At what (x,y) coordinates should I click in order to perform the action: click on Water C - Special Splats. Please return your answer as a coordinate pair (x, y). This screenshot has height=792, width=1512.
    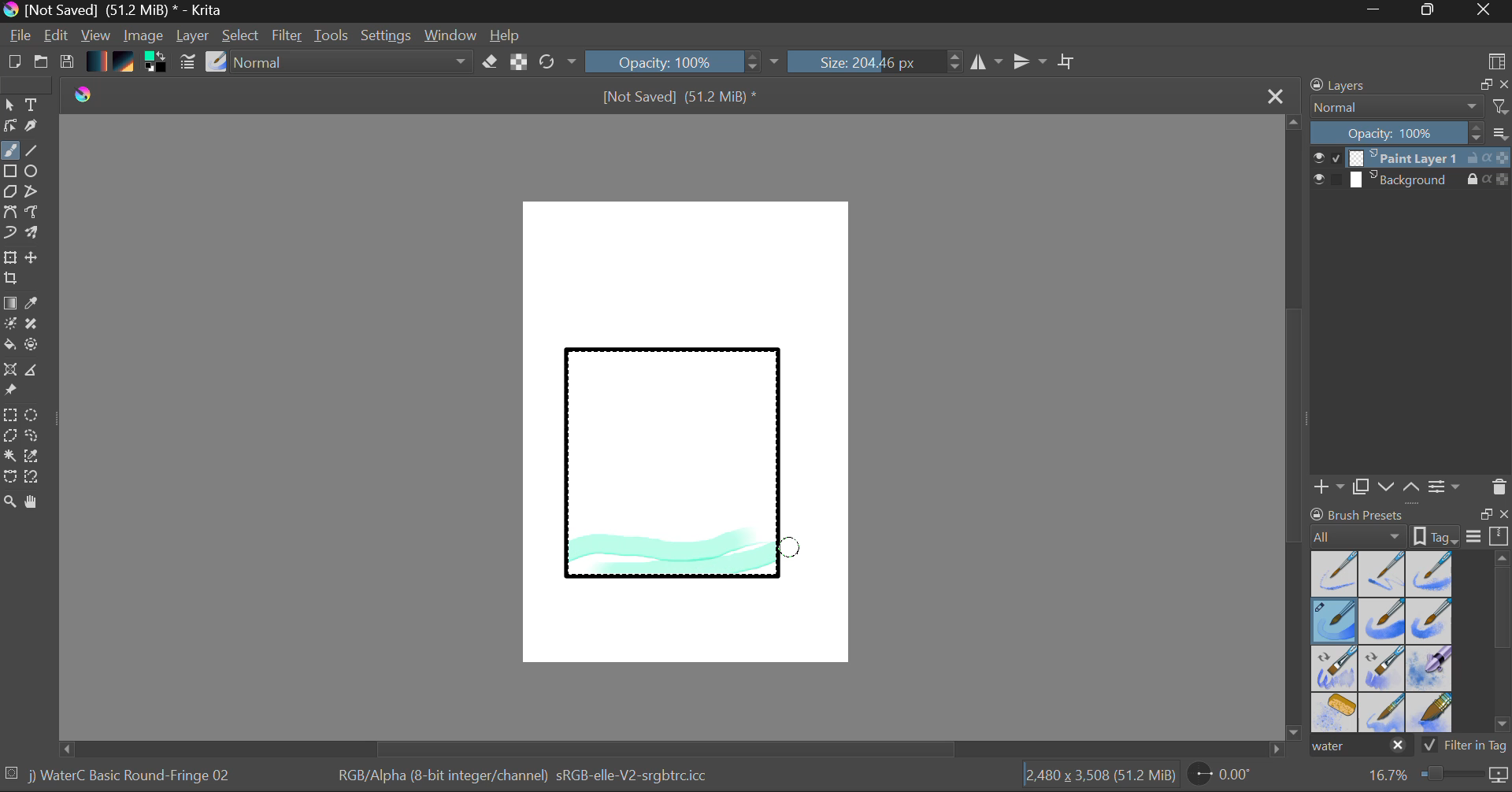
    Looking at the image, I should click on (1336, 712).